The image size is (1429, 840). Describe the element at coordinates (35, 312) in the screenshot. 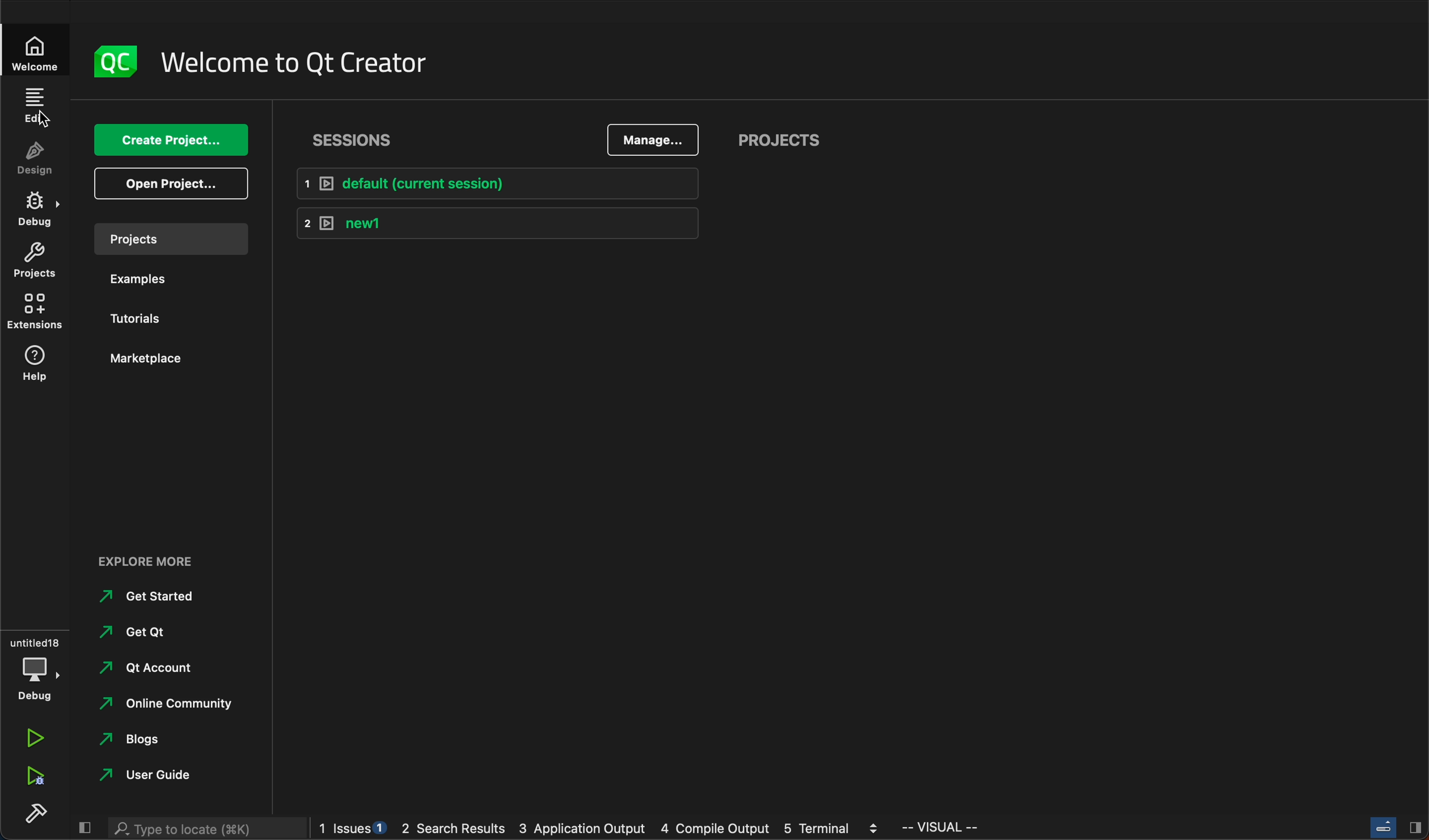

I see `extensions` at that location.